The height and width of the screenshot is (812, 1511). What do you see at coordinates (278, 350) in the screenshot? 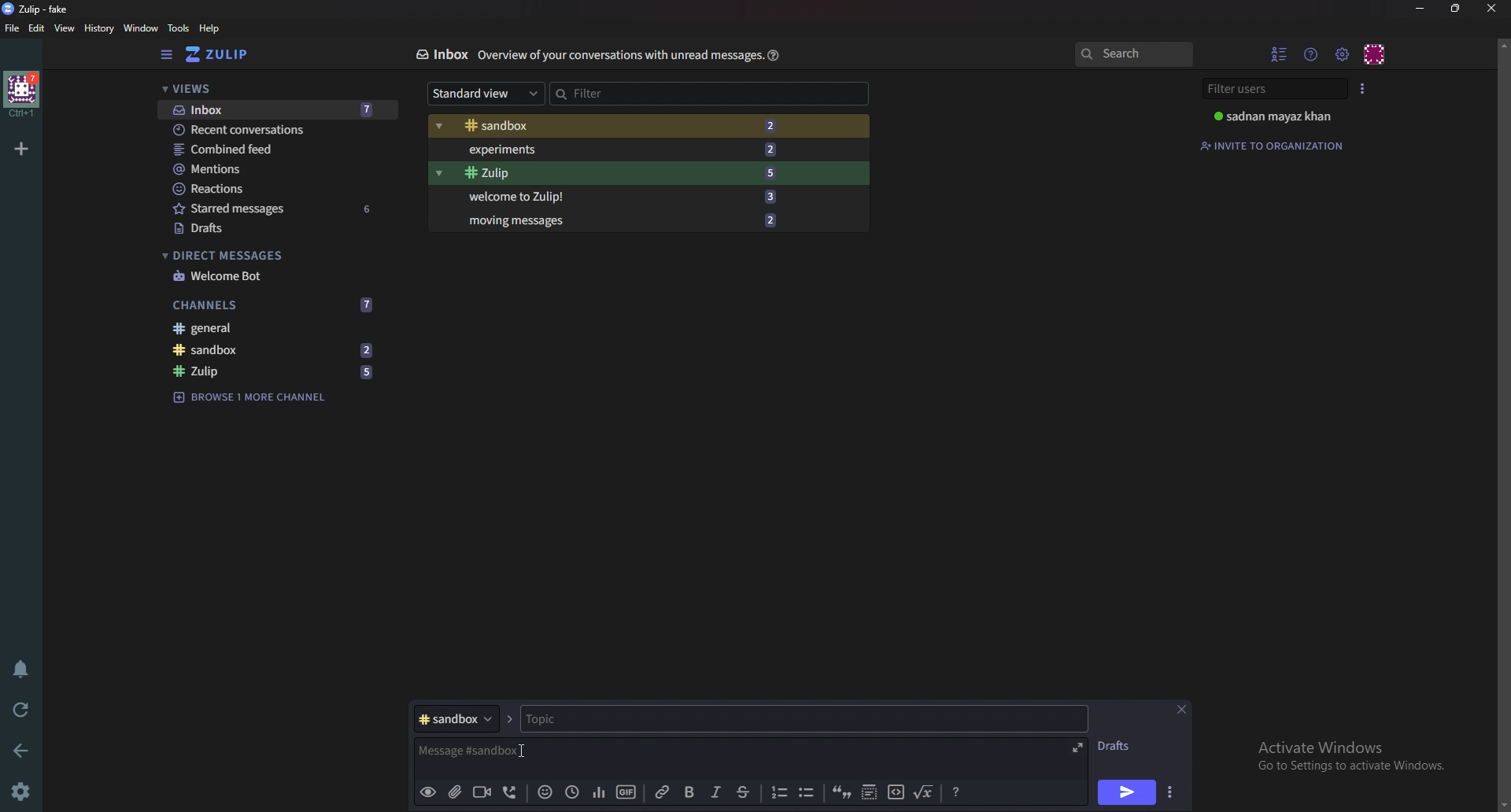
I see `sandbox` at bounding box center [278, 350].